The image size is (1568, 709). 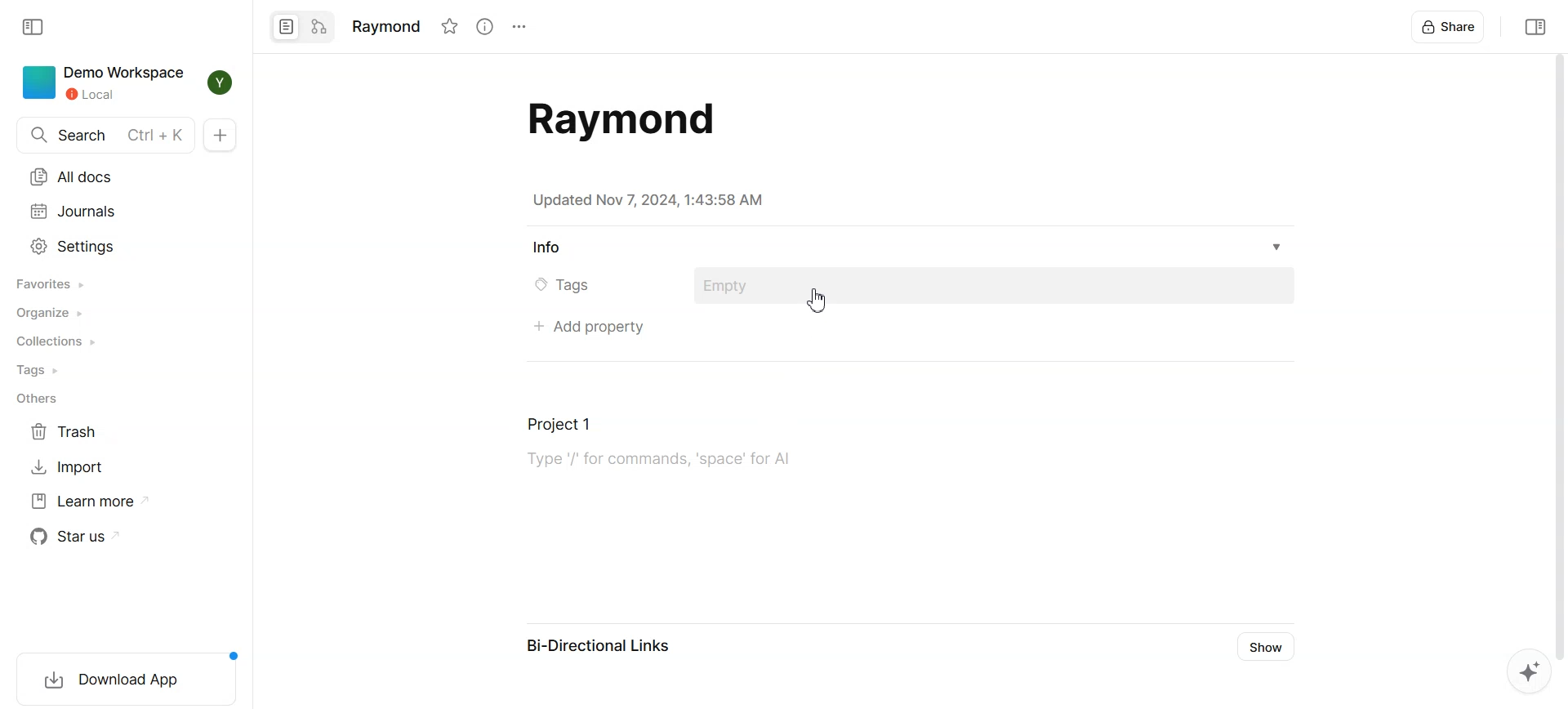 What do you see at coordinates (813, 430) in the screenshot?
I see `Document task` at bounding box center [813, 430].